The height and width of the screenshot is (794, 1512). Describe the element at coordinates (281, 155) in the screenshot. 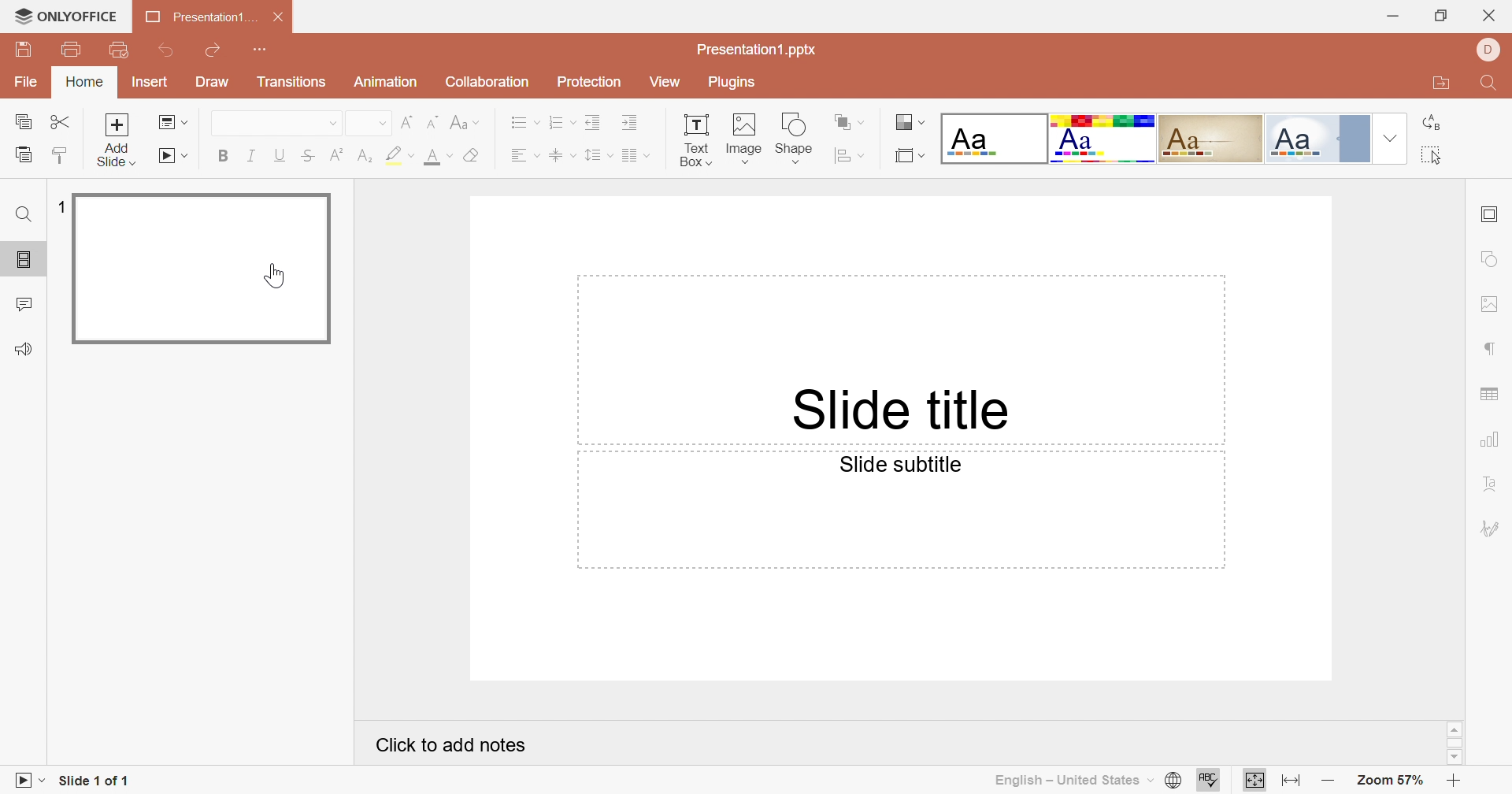

I see `Underline` at that location.